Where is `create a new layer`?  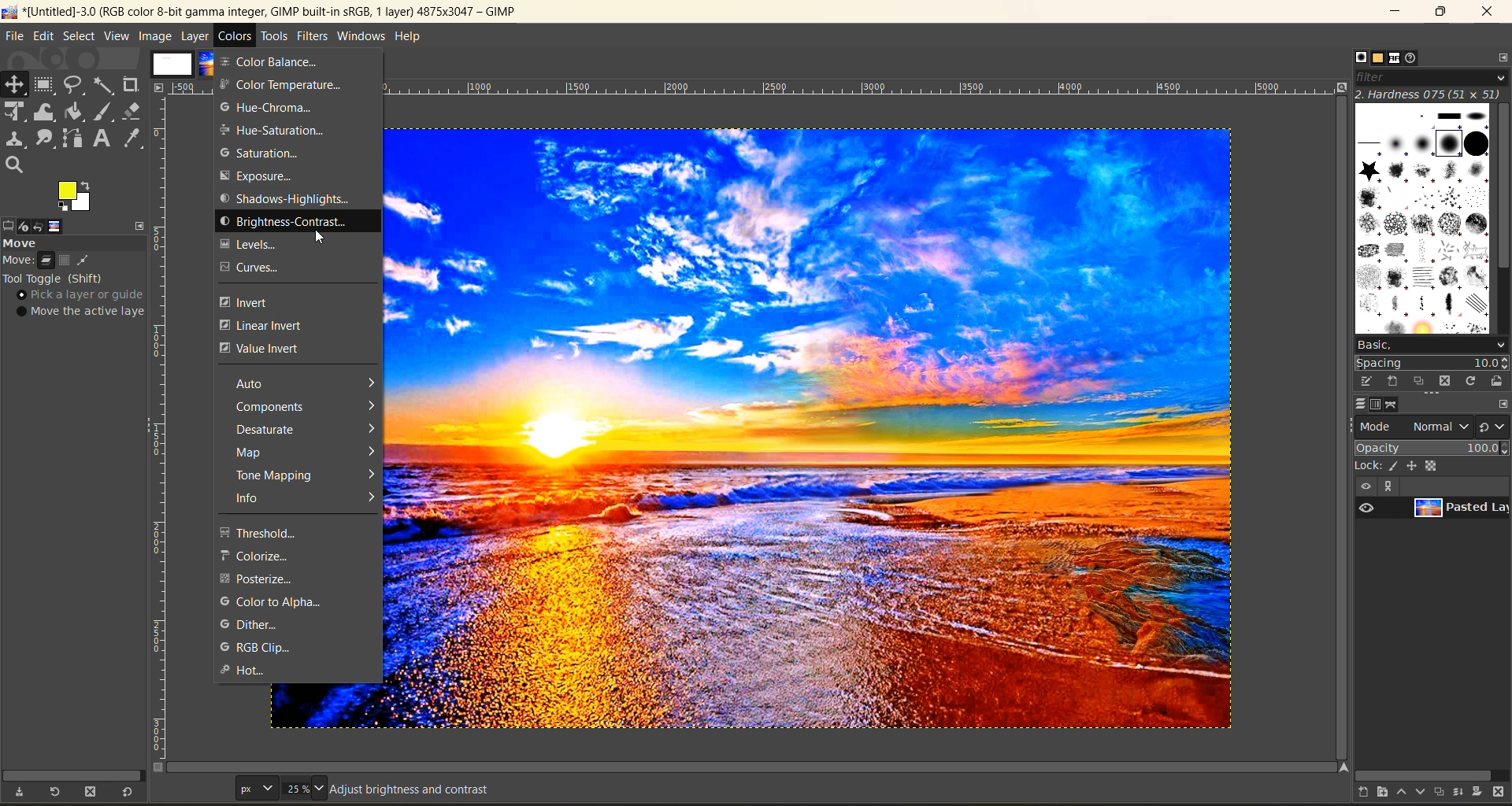
create a new layer is located at coordinates (1369, 794).